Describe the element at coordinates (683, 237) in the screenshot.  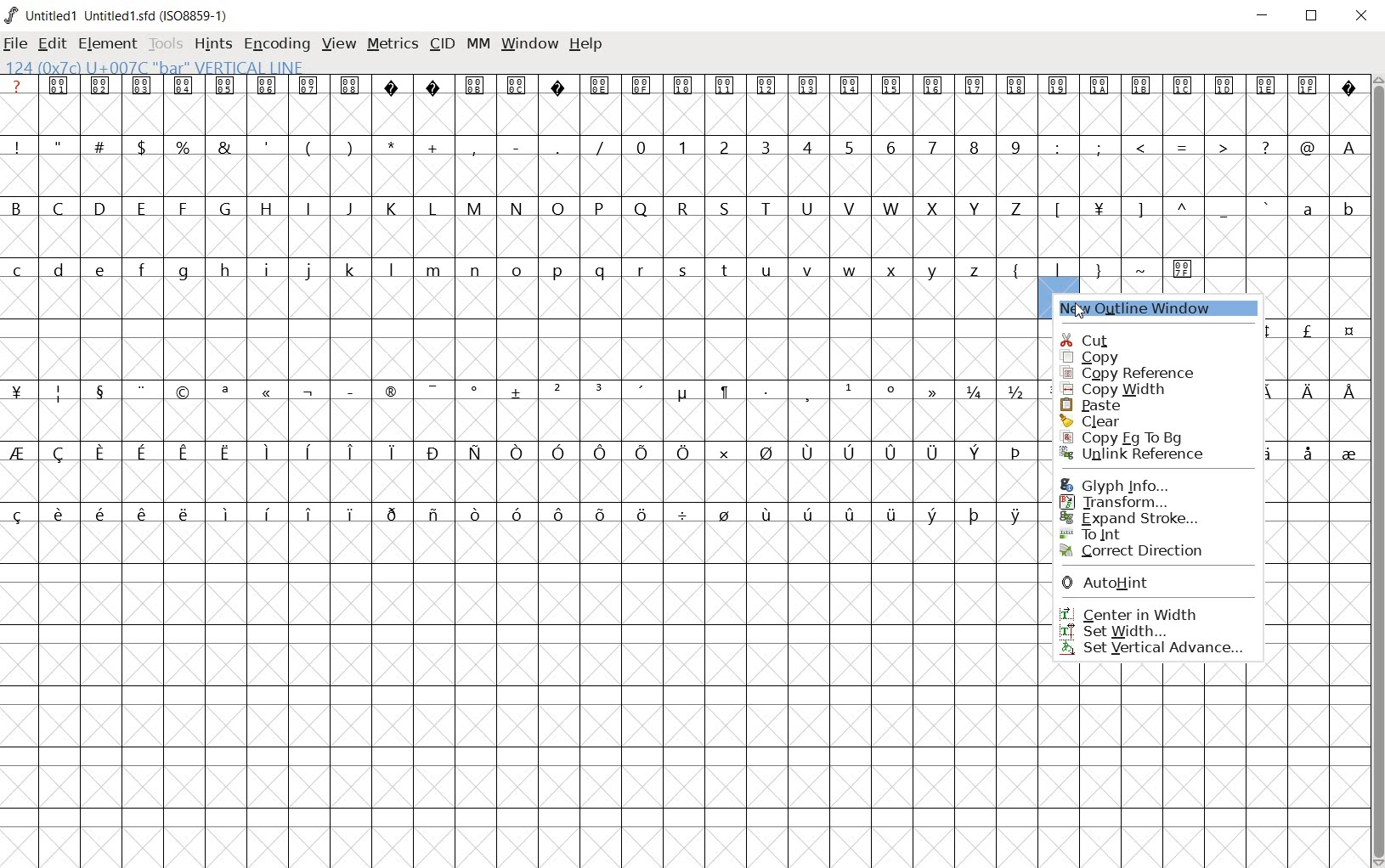
I see `empty cells` at that location.